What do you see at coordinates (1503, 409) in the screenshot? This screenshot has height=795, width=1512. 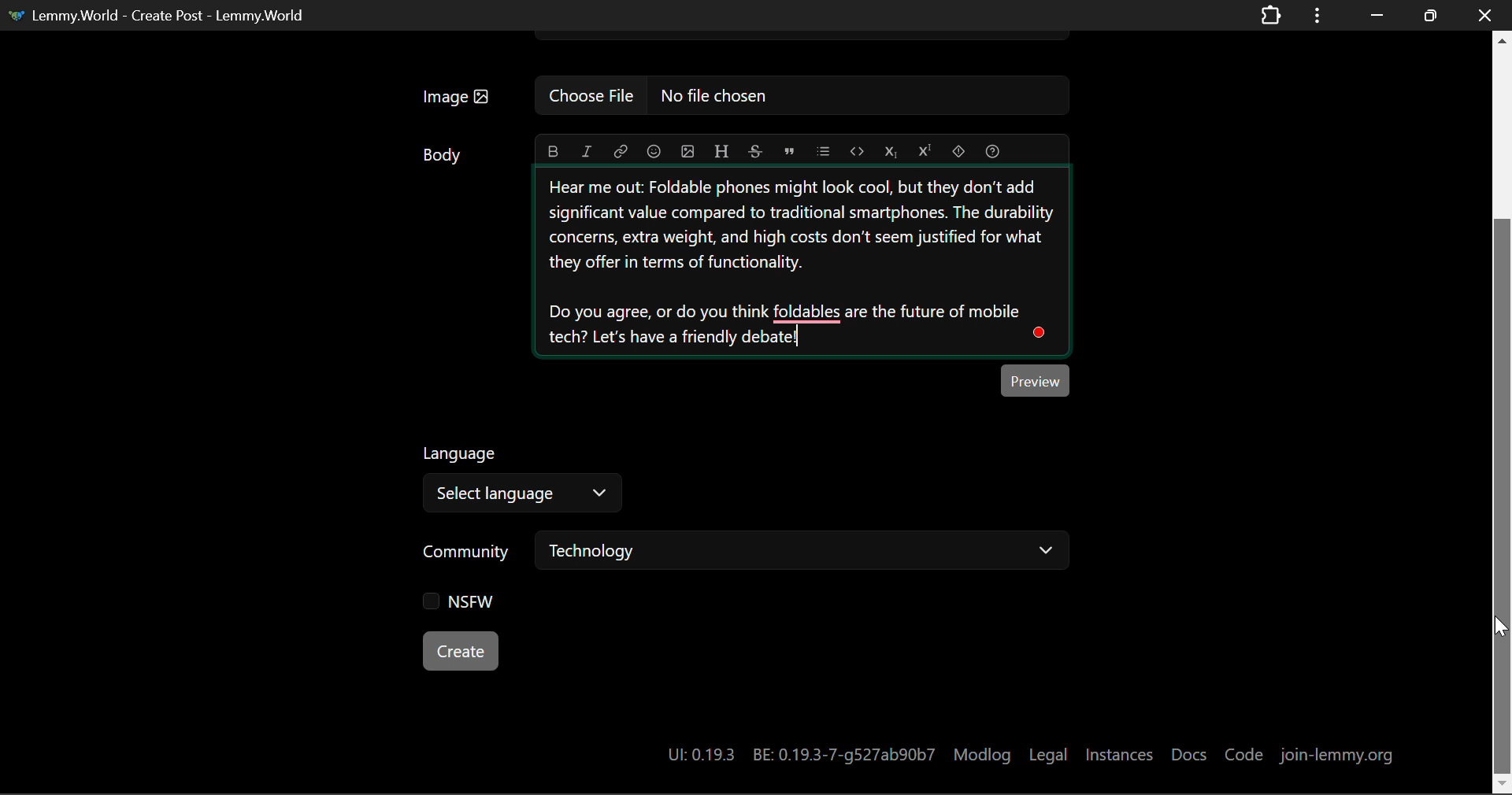 I see `Scroll Bar` at bounding box center [1503, 409].